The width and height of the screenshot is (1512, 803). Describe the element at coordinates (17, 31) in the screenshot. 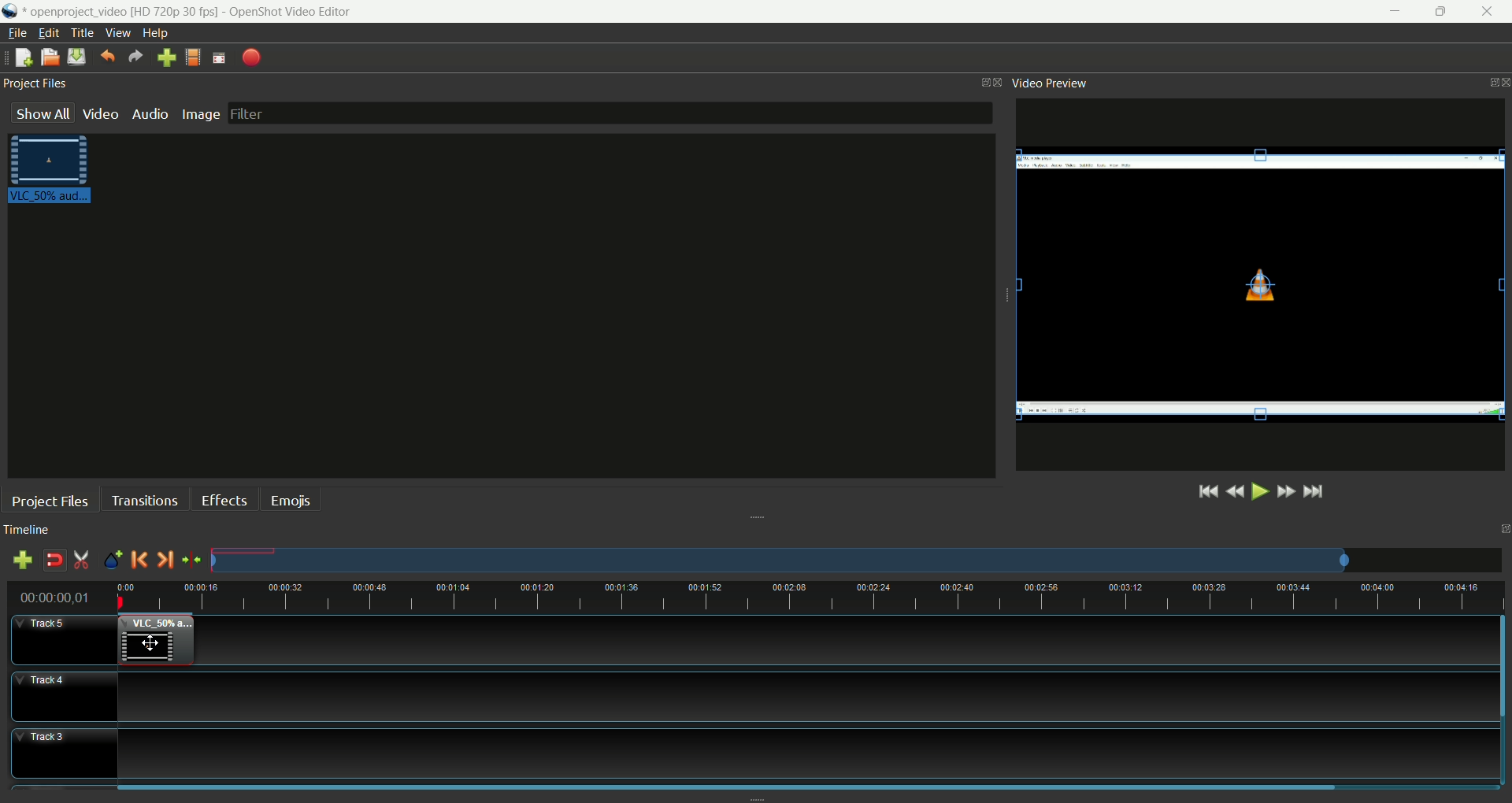

I see `file` at that location.